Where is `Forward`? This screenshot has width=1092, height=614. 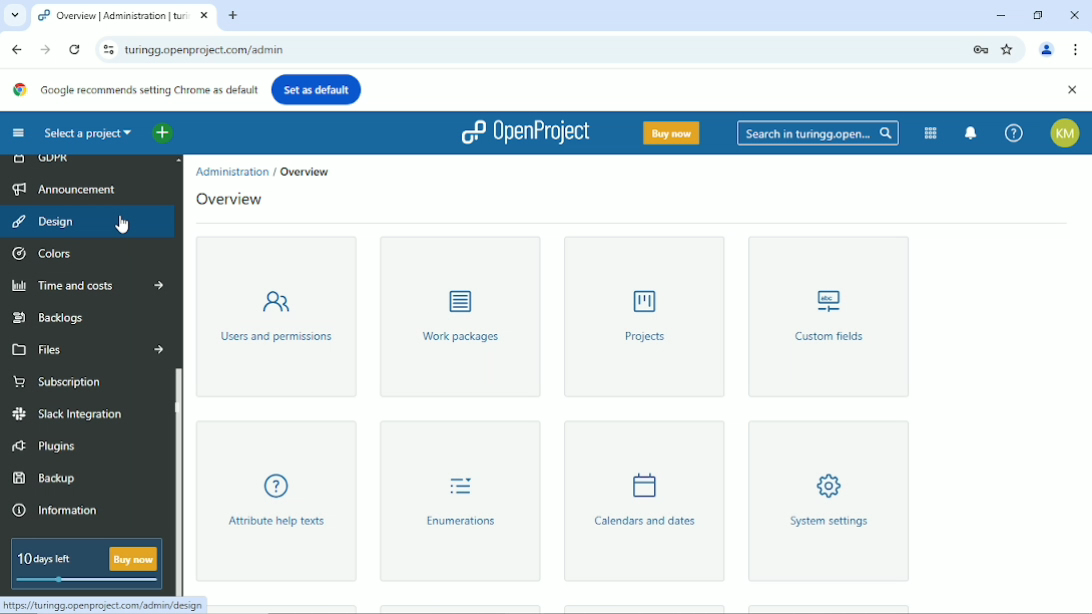
Forward is located at coordinates (44, 49).